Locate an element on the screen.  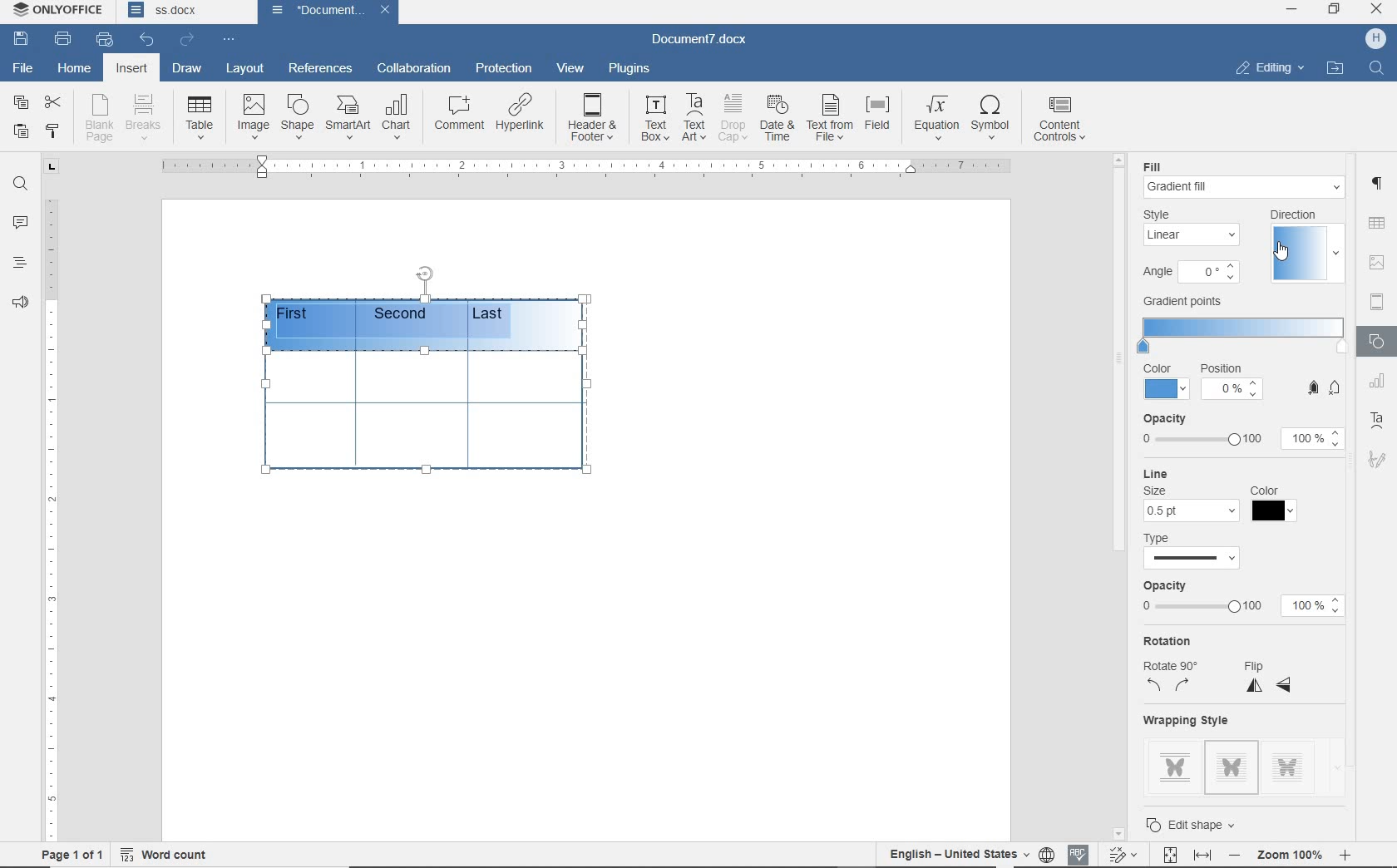
undo is located at coordinates (146, 38).